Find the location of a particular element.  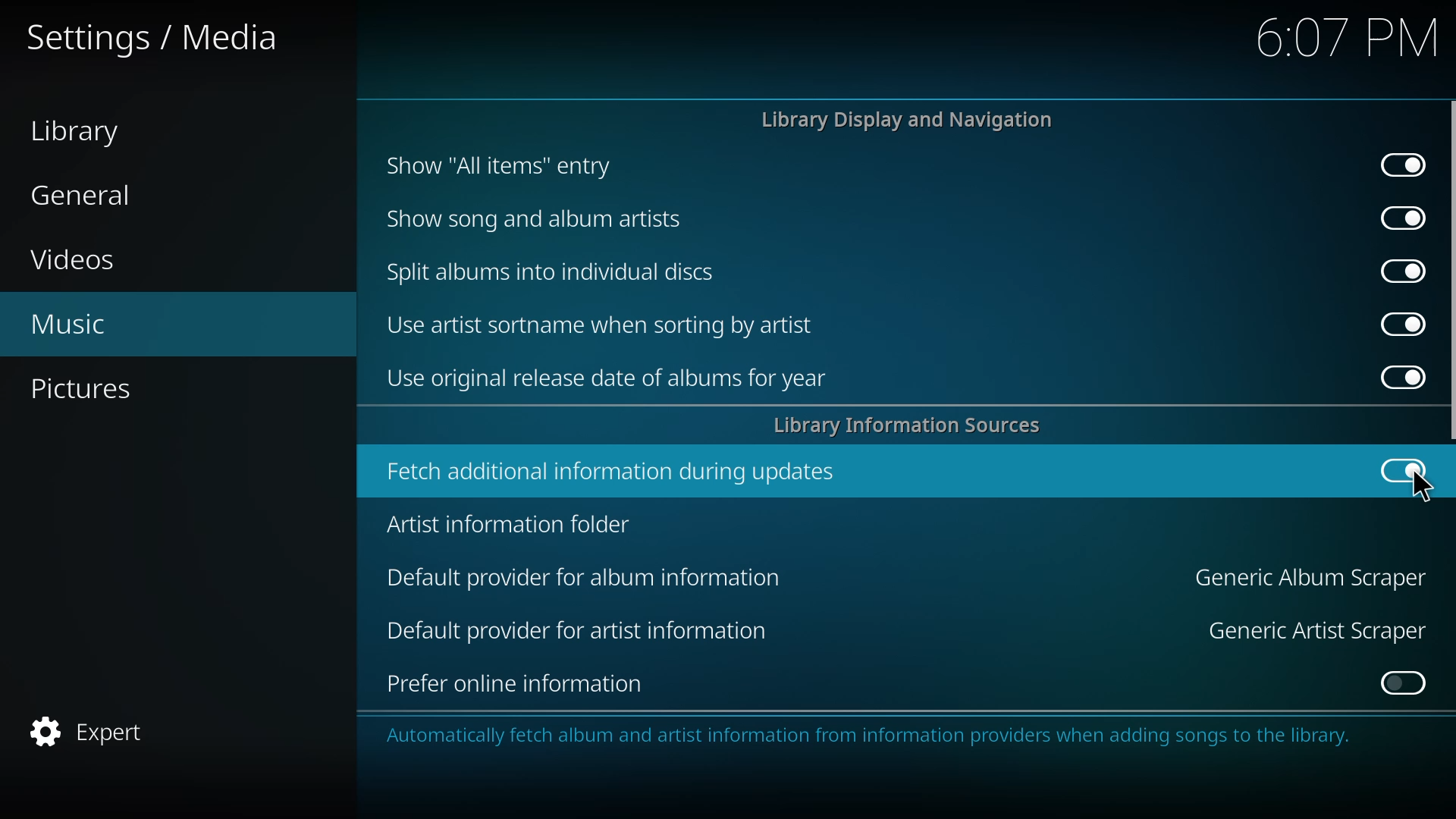

music is located at coordinates (78, 326).